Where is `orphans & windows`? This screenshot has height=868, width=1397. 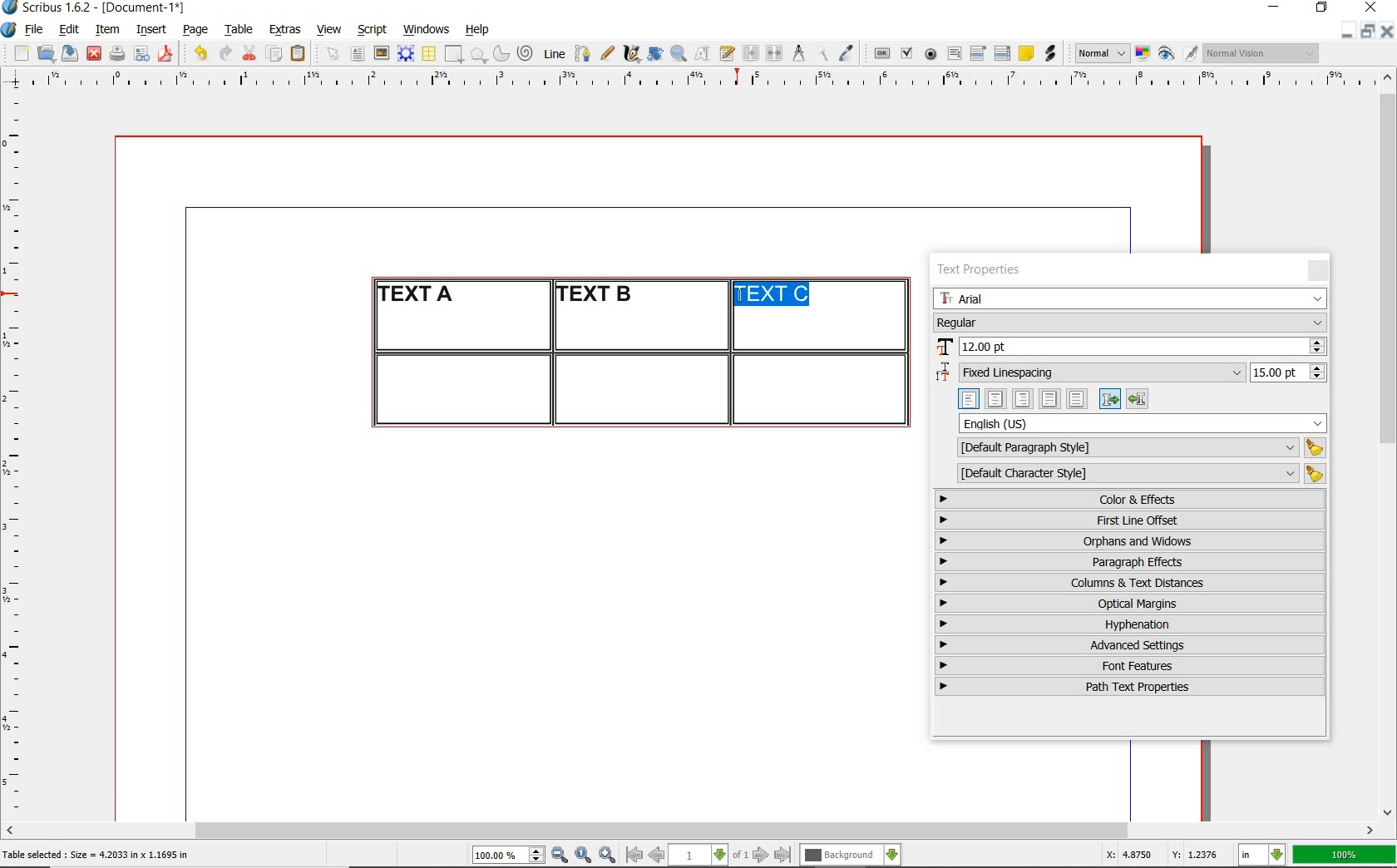
orphans & windows is located at coordinates (1128, 542).